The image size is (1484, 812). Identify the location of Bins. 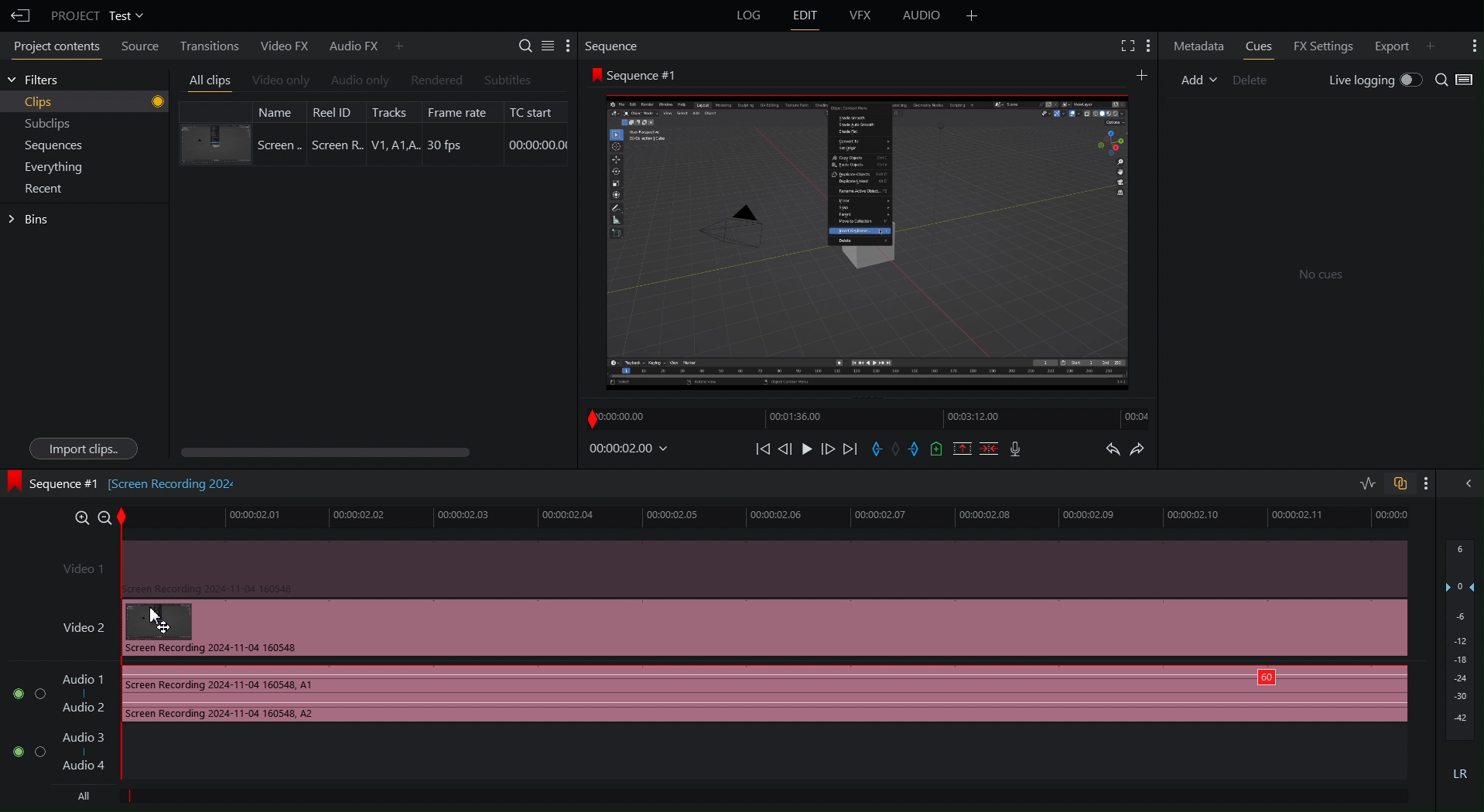
(29, 220).